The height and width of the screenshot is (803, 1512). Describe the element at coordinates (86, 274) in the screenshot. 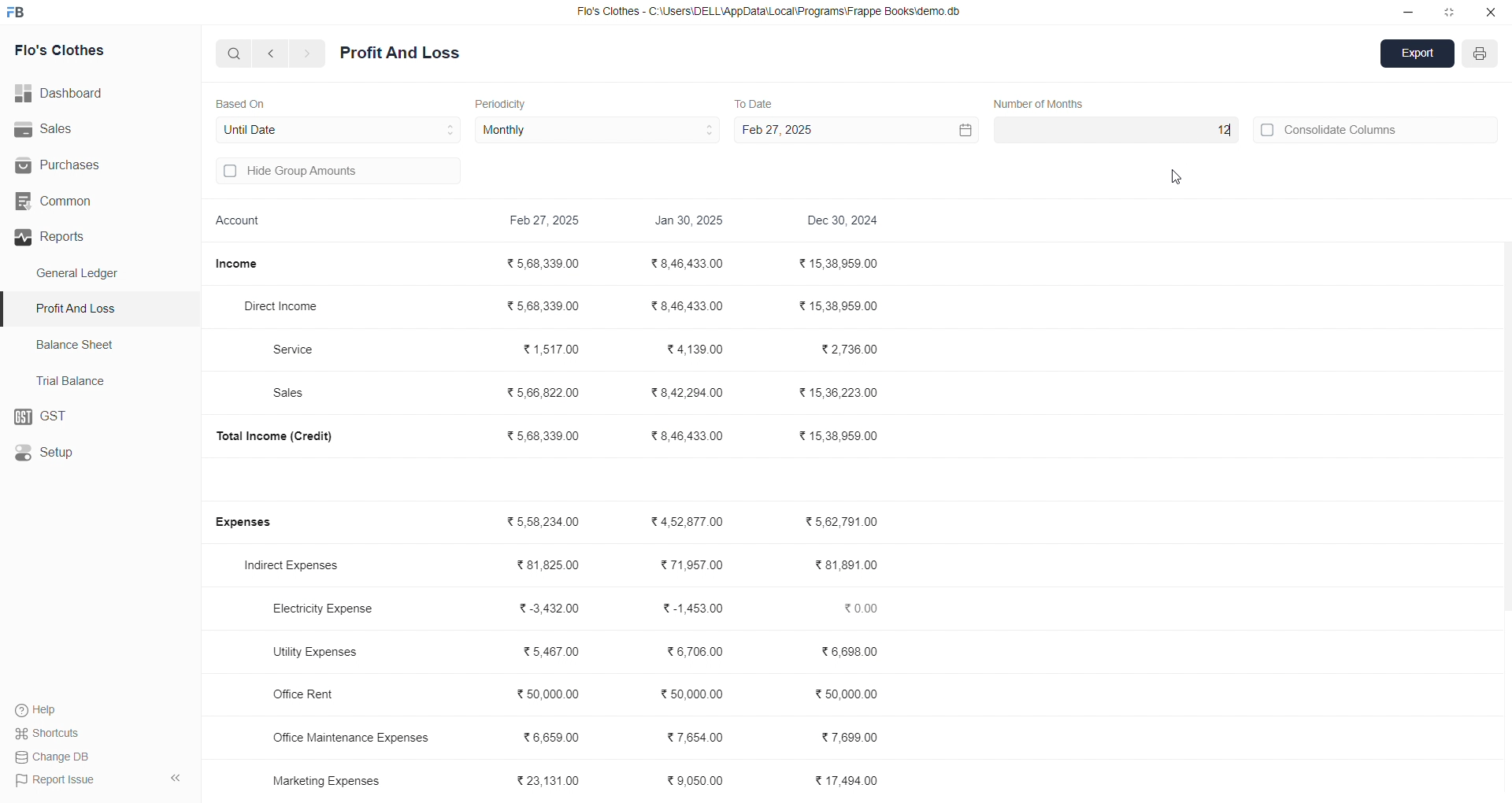

I see `General Ledger` at that location.